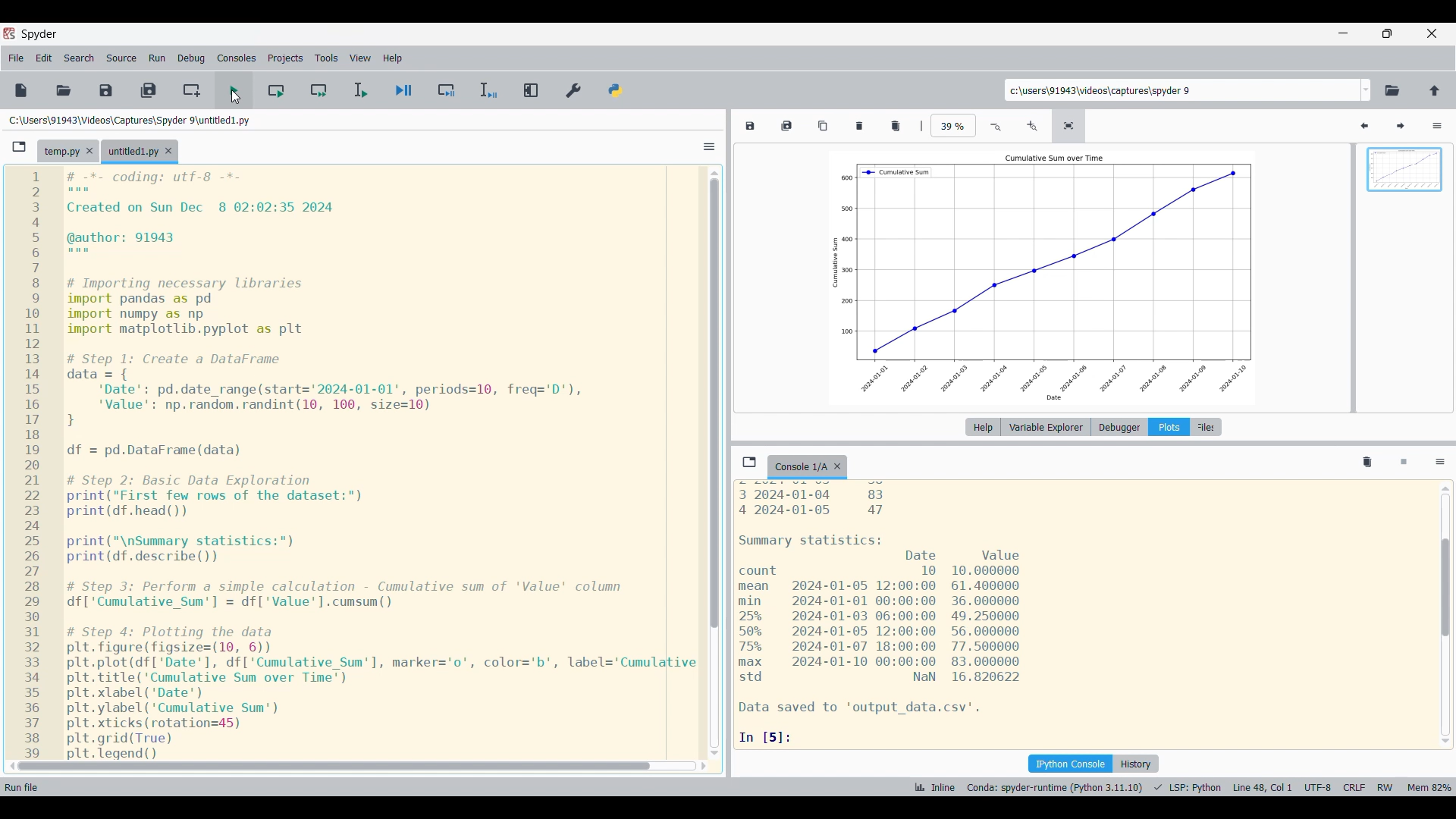 This screenshot has height=819, width=1456. Describe the element at coordinates (1355, 787) in the screenshot. I see `crlf` at that location.